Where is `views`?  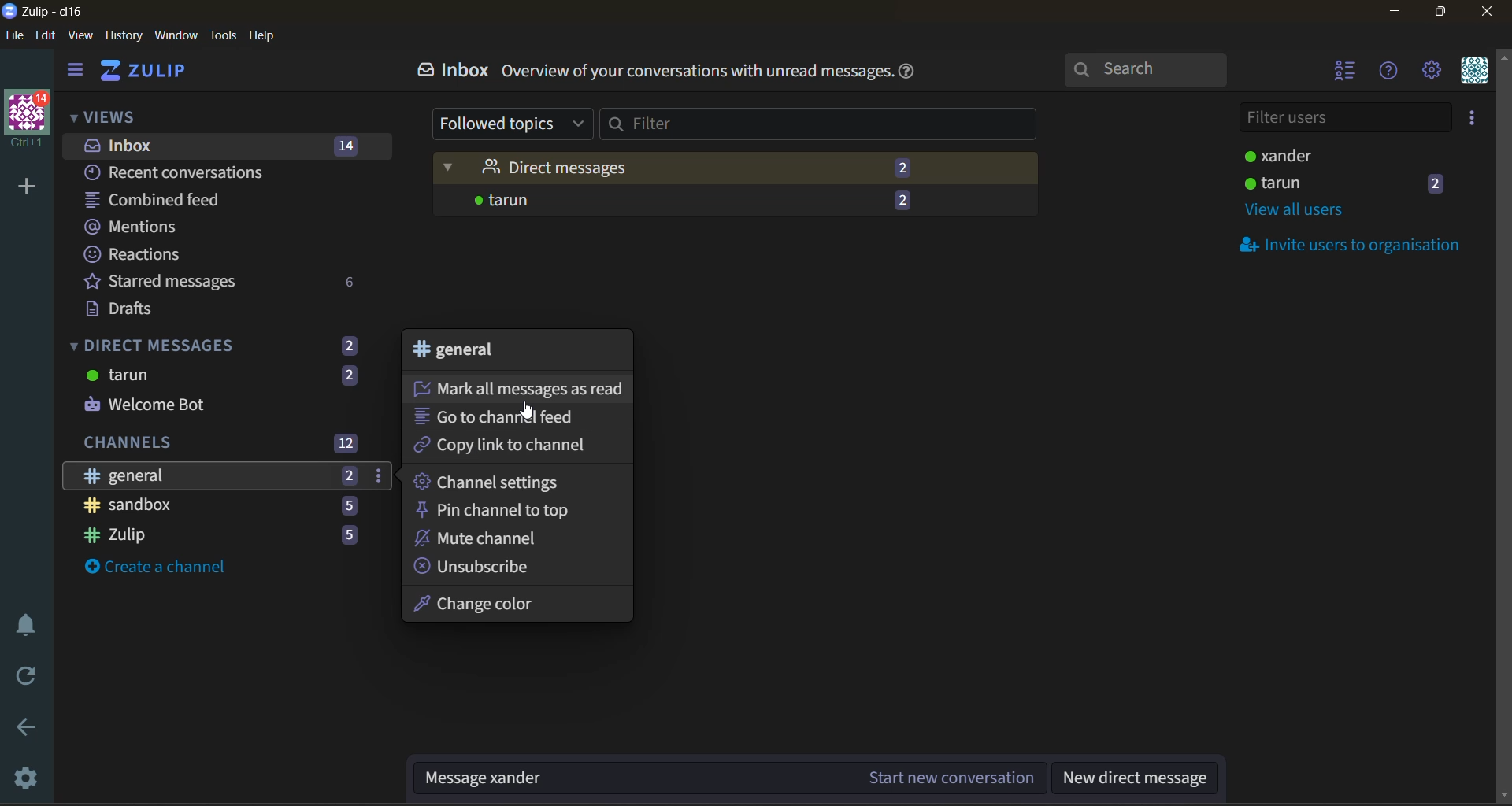 views is located at coordinates (105, 115).